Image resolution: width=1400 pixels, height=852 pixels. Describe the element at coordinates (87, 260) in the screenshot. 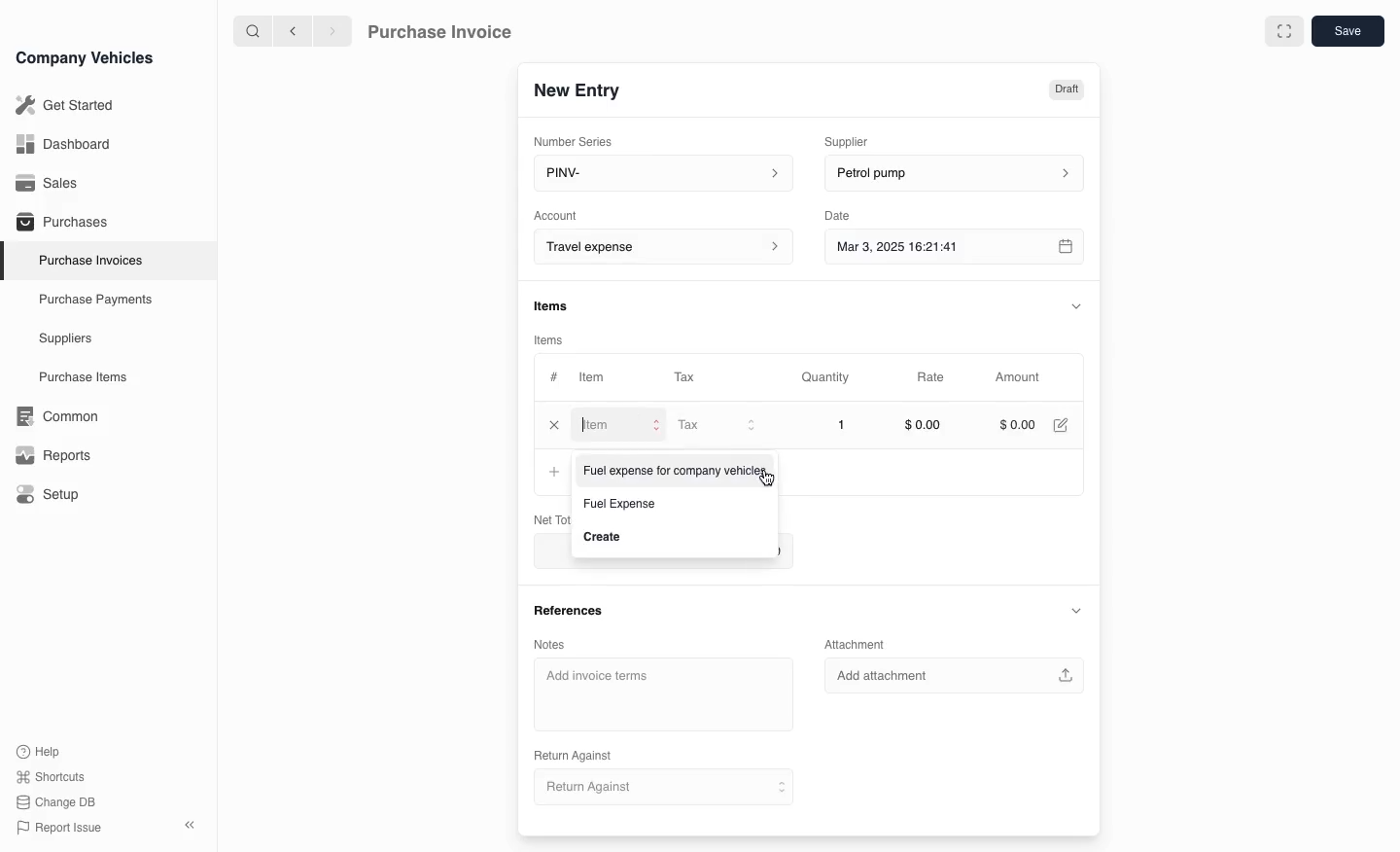

I see `Purchase Invoices` at that location.